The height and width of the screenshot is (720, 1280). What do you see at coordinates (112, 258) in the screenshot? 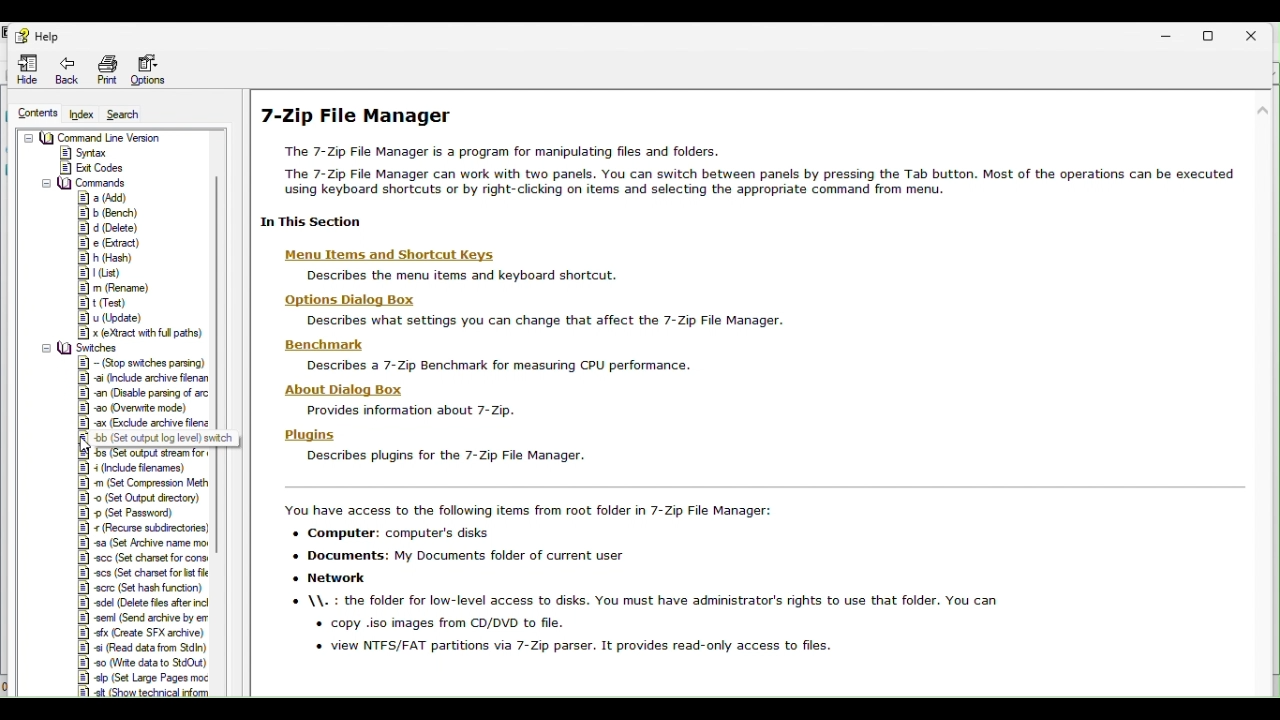
I see `&] h (Hash)` at bounding box center [112, 258].